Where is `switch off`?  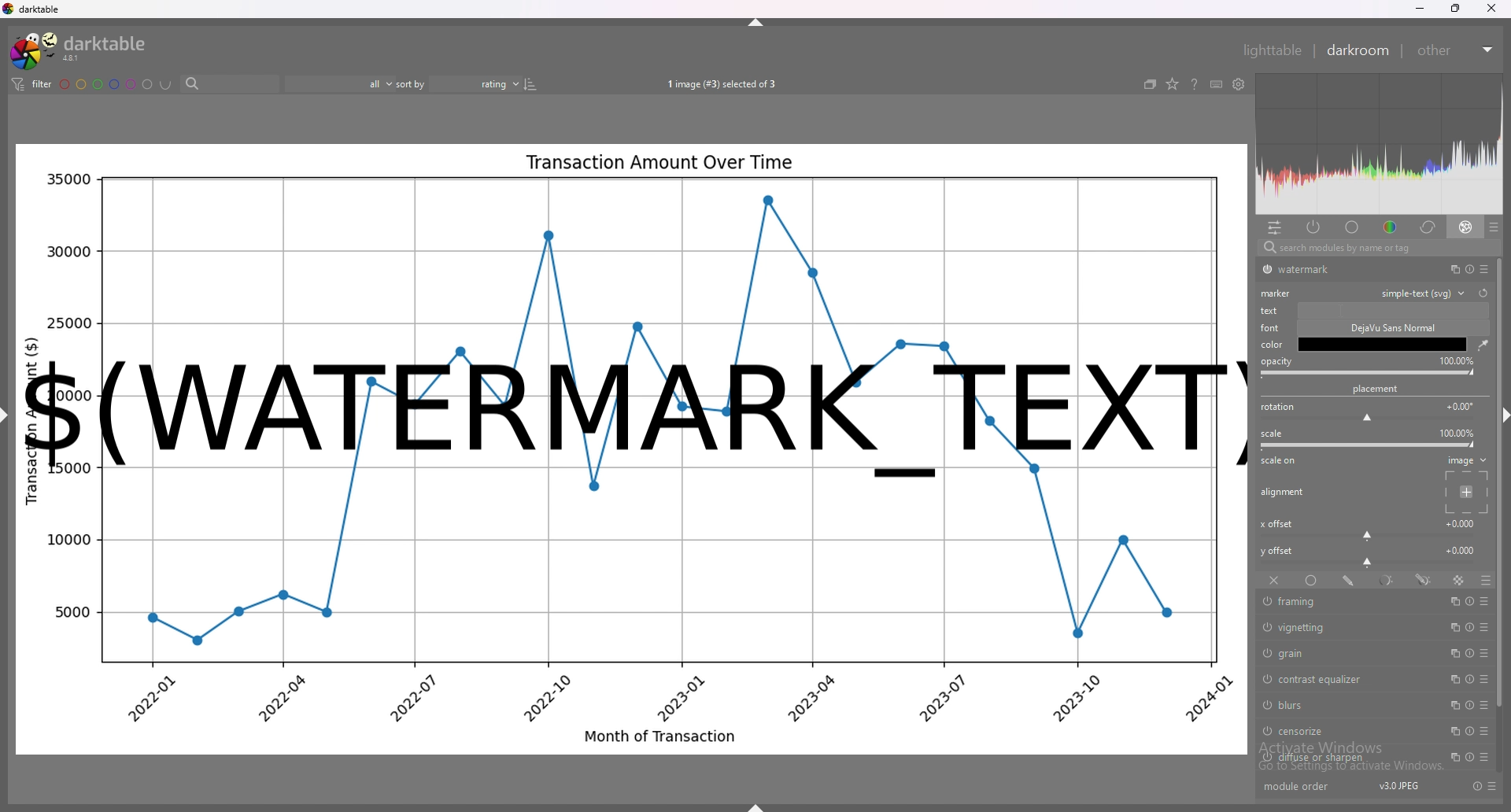 switch off is located at coordinates (1265, 652).